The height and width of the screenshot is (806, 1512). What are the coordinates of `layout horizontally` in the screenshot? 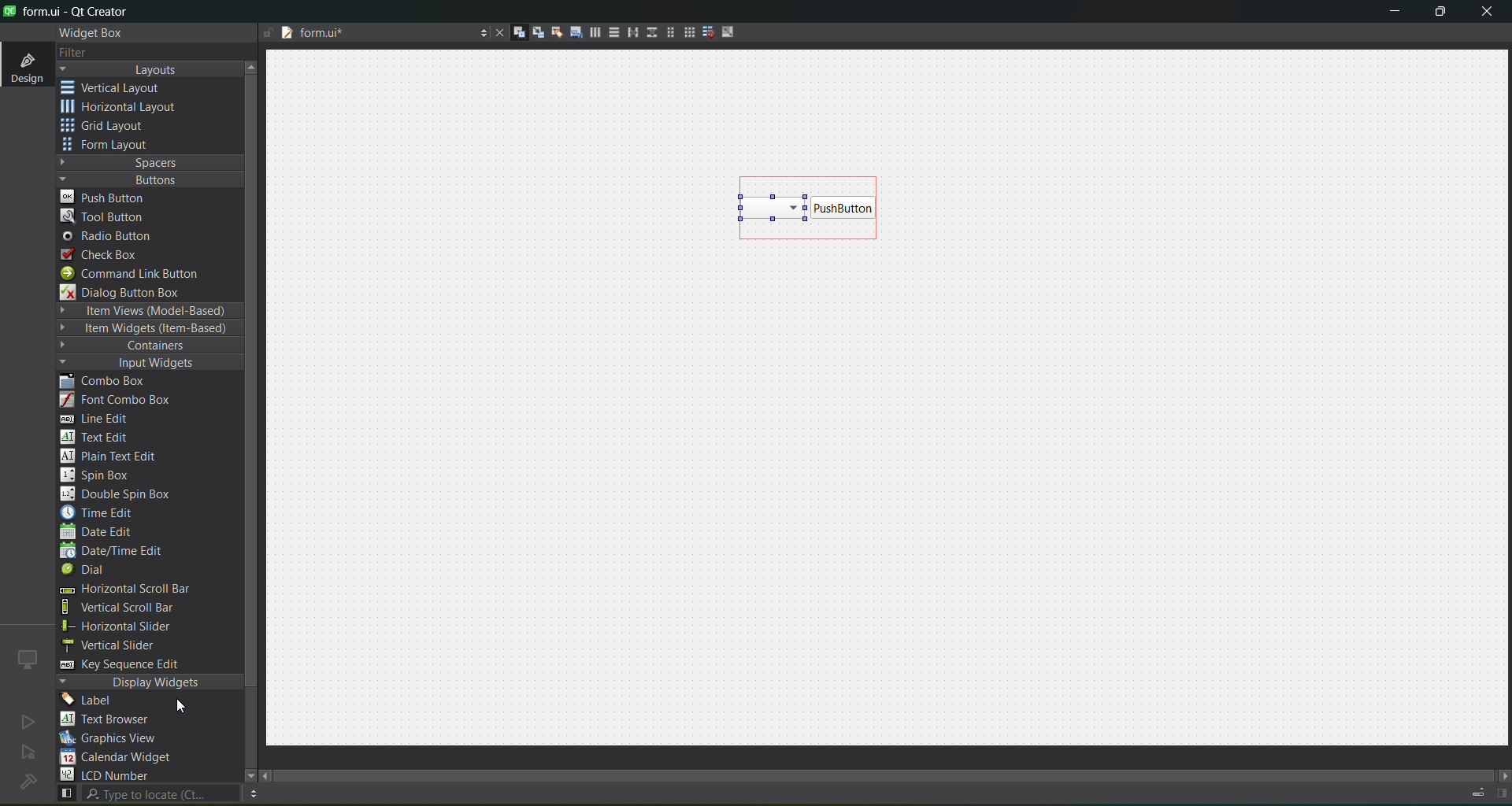 It's located at (590, 35).